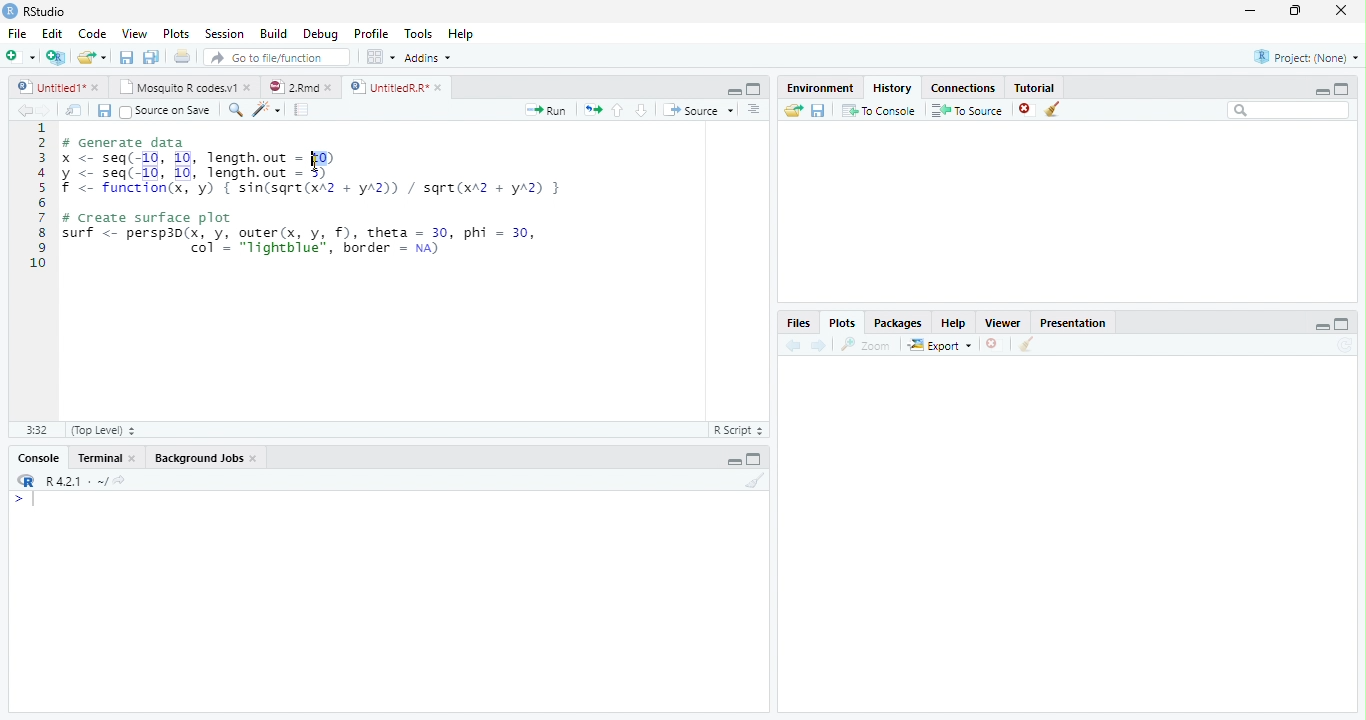 The image size is (1366, 720). Describe the element at coordinates (1002, 322) in the screenshot. I see `Viewer` at that location.